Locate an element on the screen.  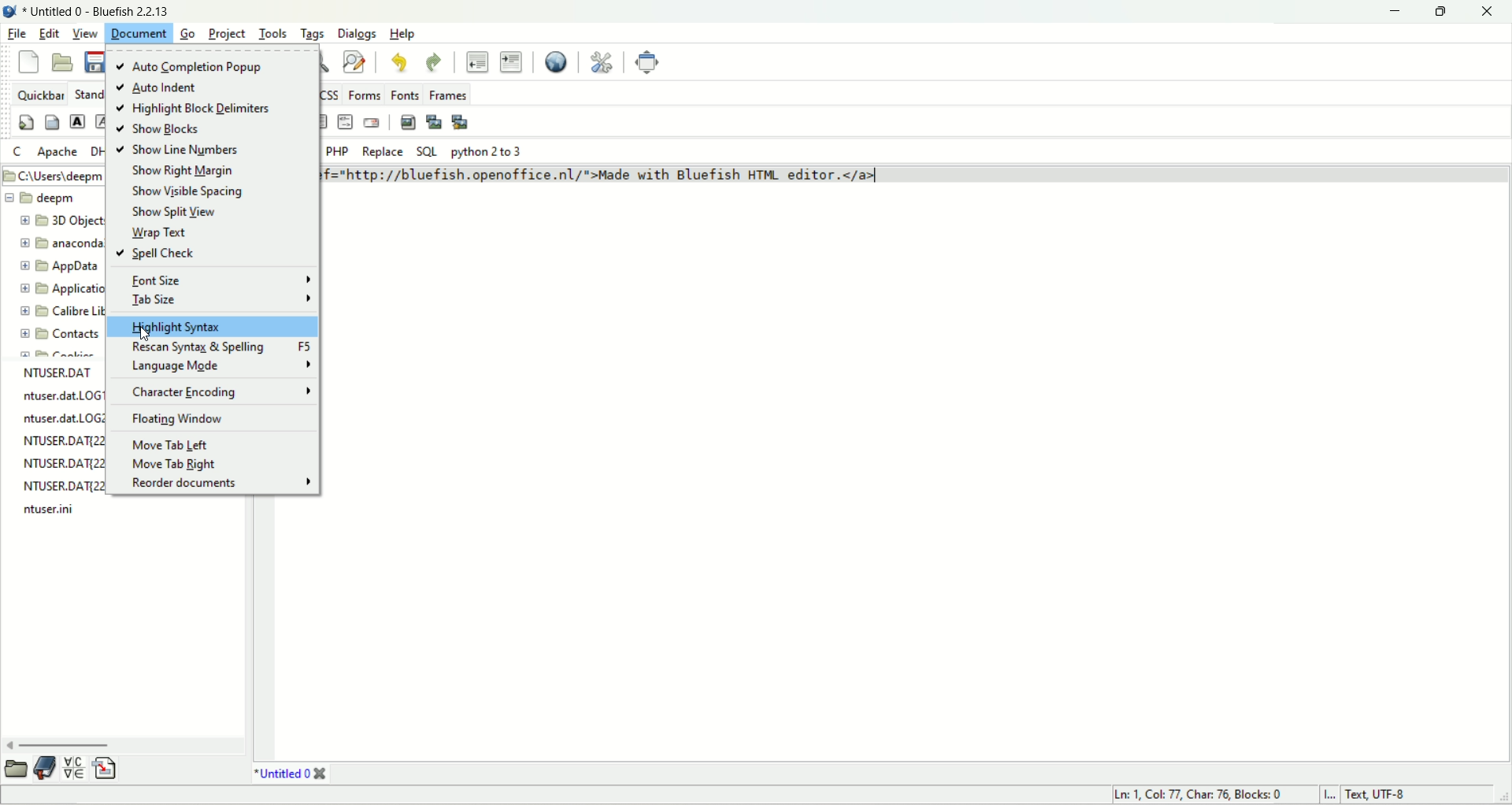
replace is located at coordinates (382, 152).